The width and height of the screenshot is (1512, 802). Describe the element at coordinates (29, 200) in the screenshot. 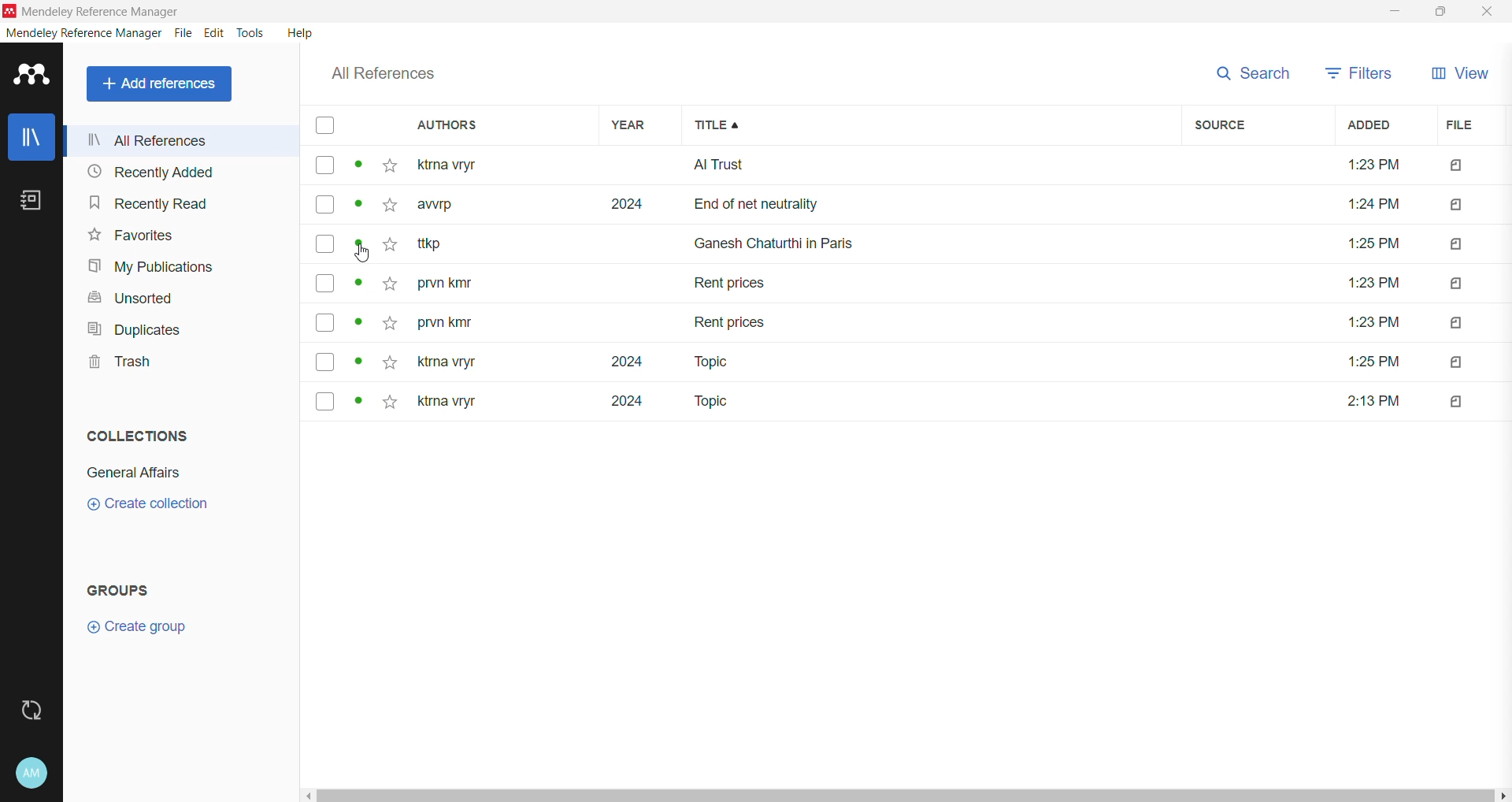

I see `Notes` at that location.